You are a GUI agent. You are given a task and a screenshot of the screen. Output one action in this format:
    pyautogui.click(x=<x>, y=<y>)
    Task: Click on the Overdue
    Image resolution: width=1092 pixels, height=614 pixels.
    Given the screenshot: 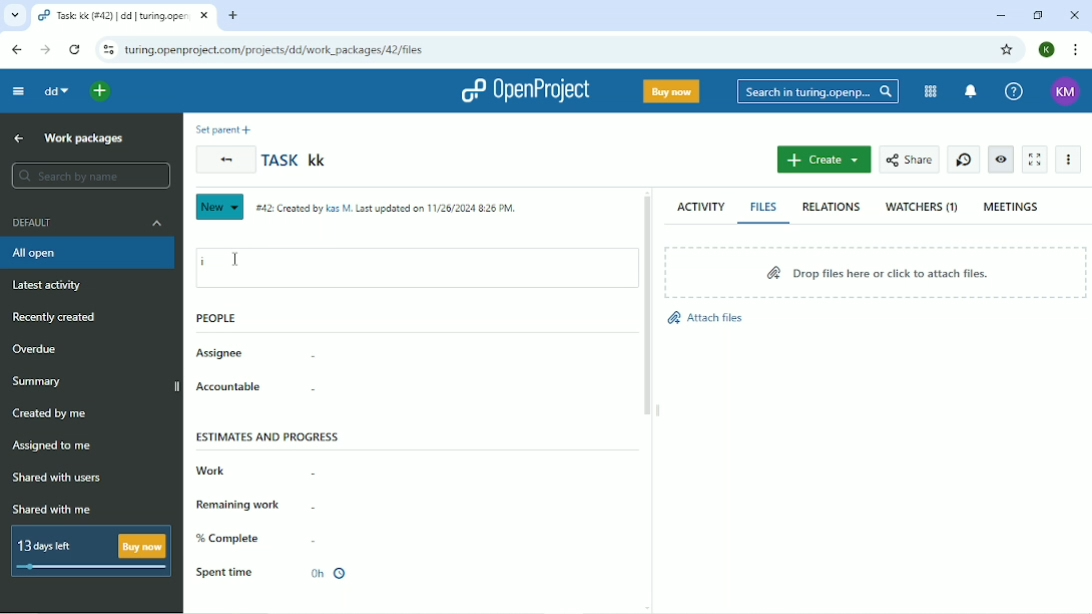 What is the action you would take?
    pyautogui.click(x=37, y=350)
    